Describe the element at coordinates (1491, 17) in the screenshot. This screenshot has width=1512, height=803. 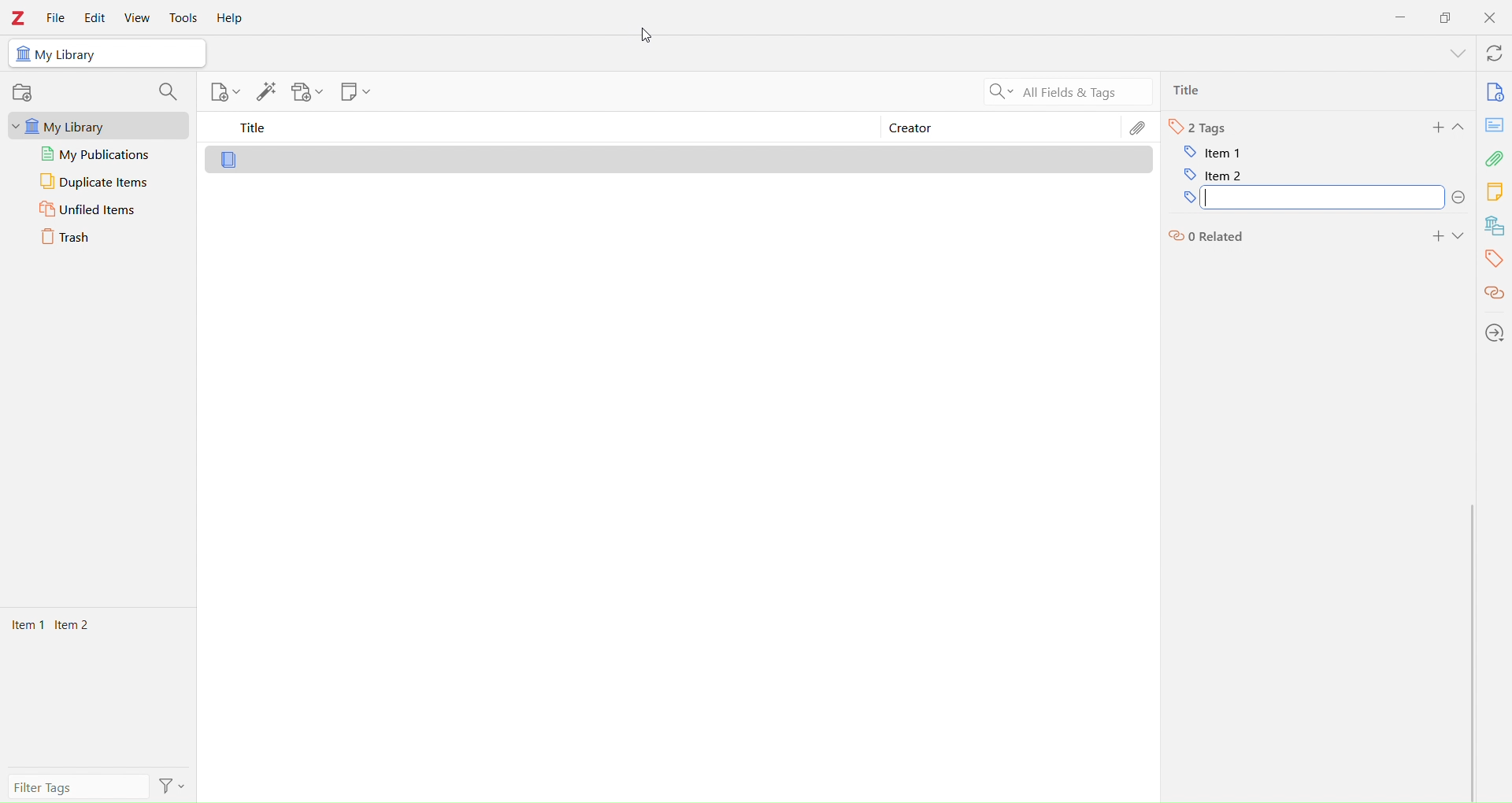
I see `Close` at that location.